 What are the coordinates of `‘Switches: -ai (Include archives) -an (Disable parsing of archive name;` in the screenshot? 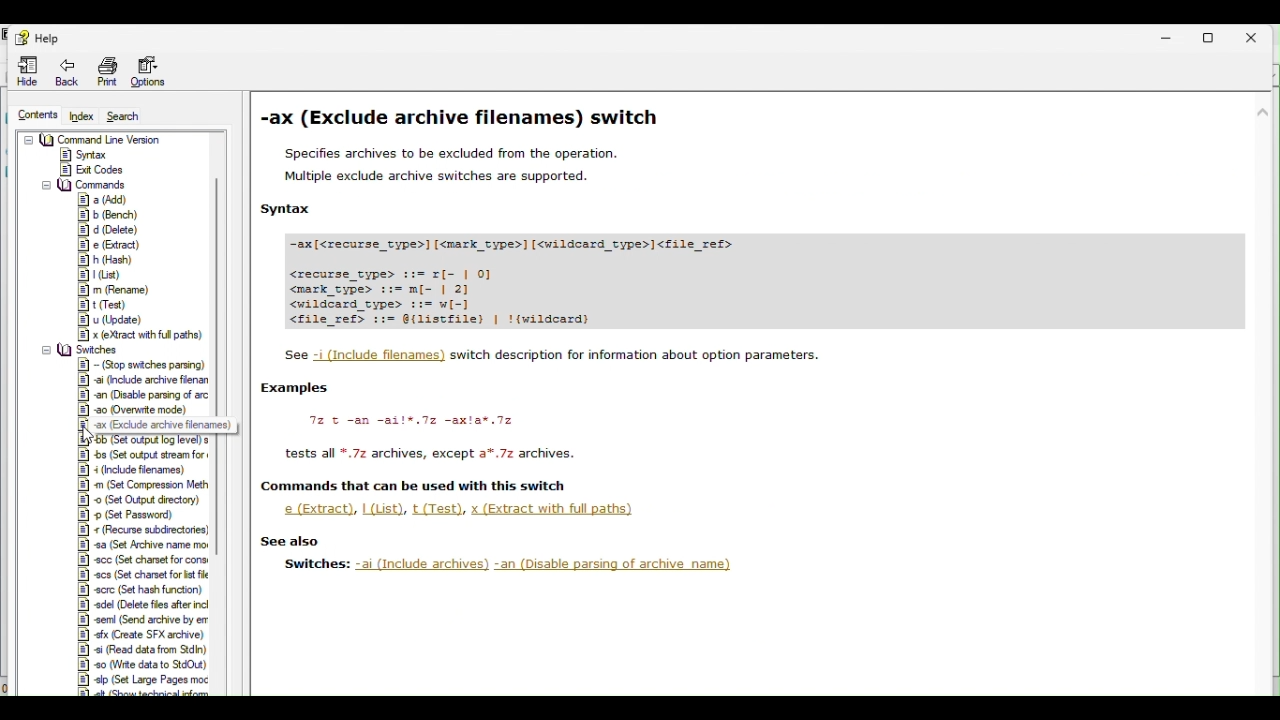 It's located at (551, 565).